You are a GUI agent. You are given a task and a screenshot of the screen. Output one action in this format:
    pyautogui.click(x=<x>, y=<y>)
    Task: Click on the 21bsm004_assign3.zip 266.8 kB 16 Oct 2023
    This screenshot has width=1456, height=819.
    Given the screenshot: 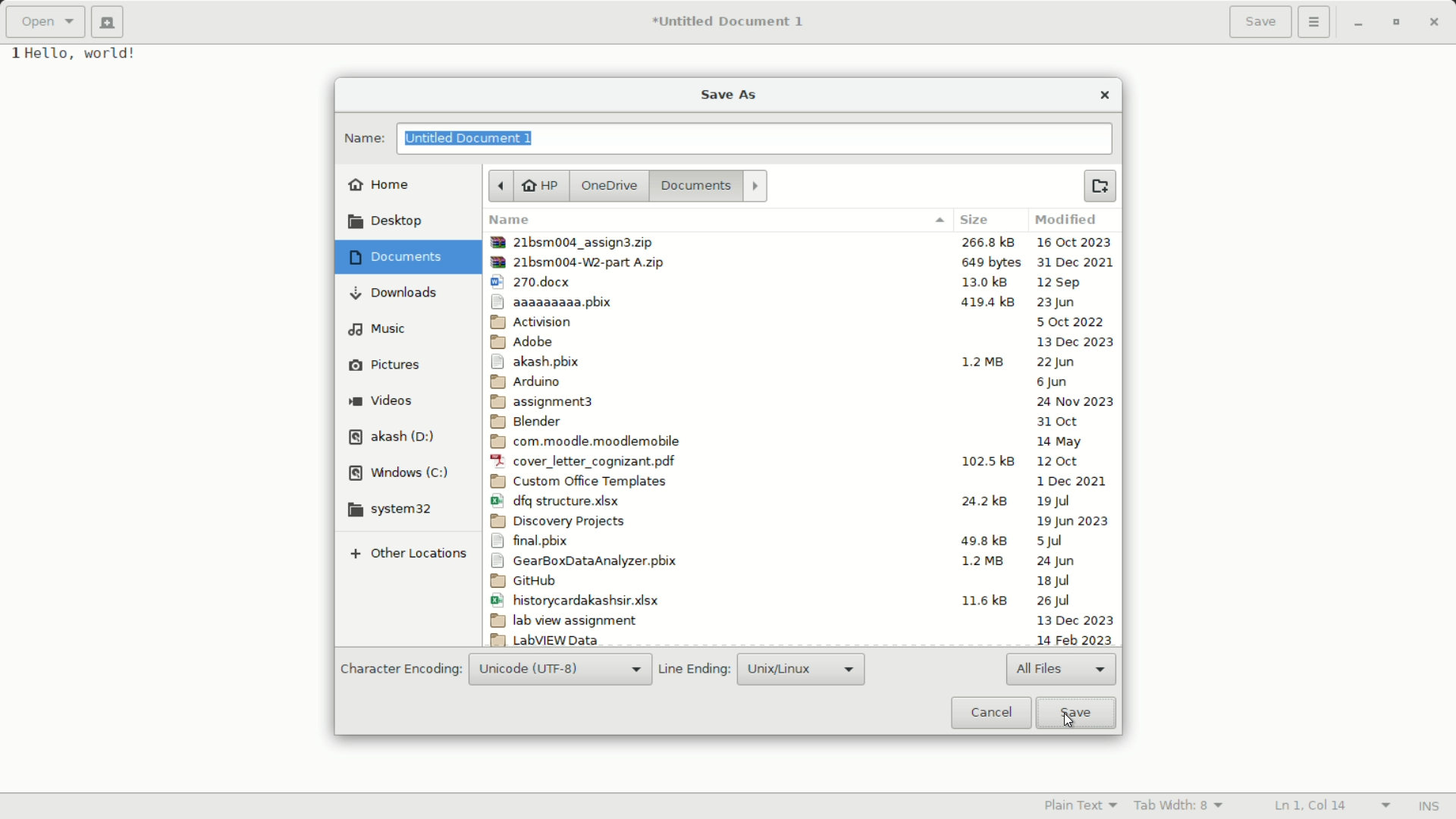 What is the action you would take?
    pyautogui.click(x=802, y=242)
    